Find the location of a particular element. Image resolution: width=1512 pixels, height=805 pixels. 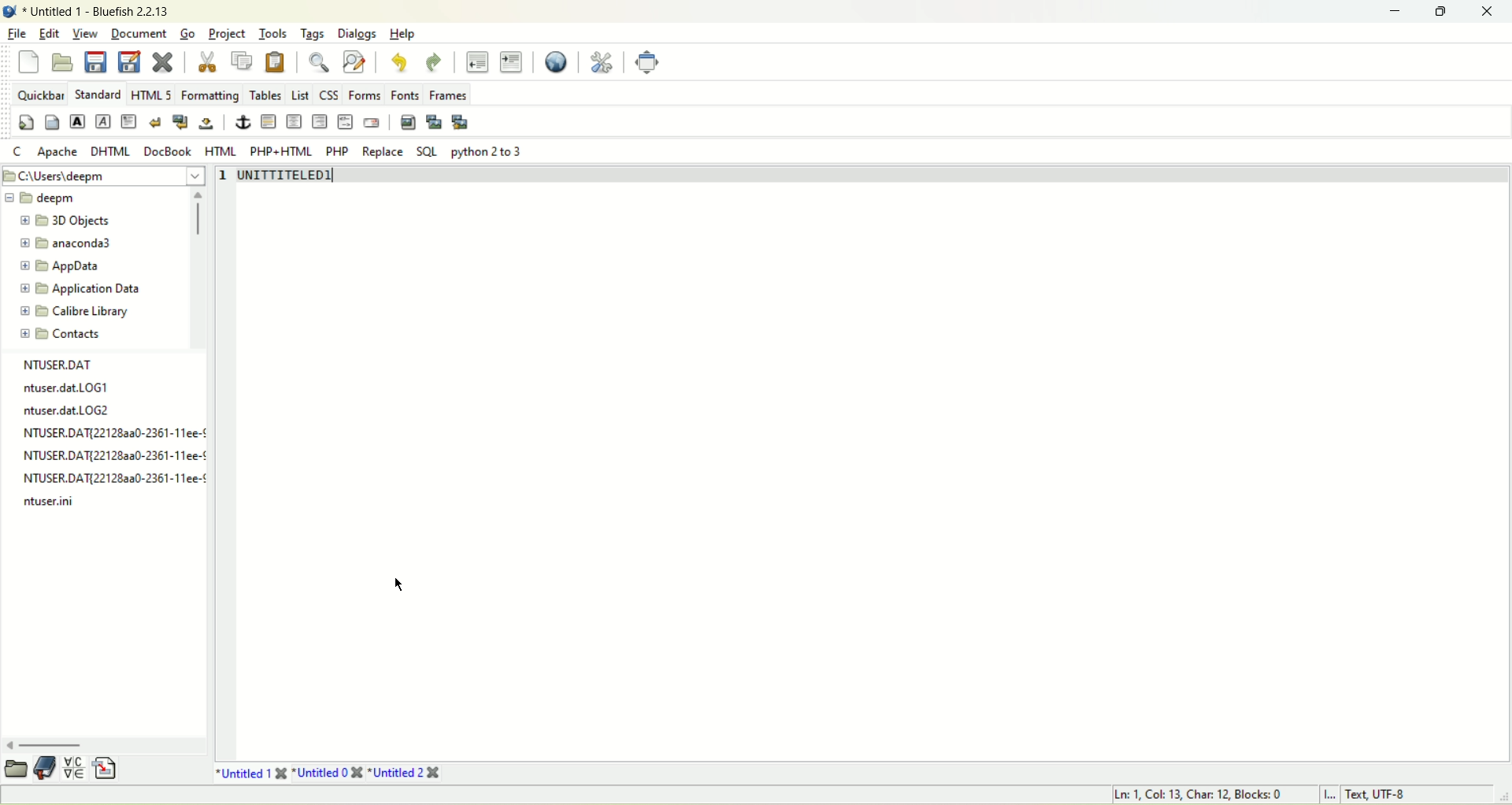

Strong is located at coordinates (76, 120).